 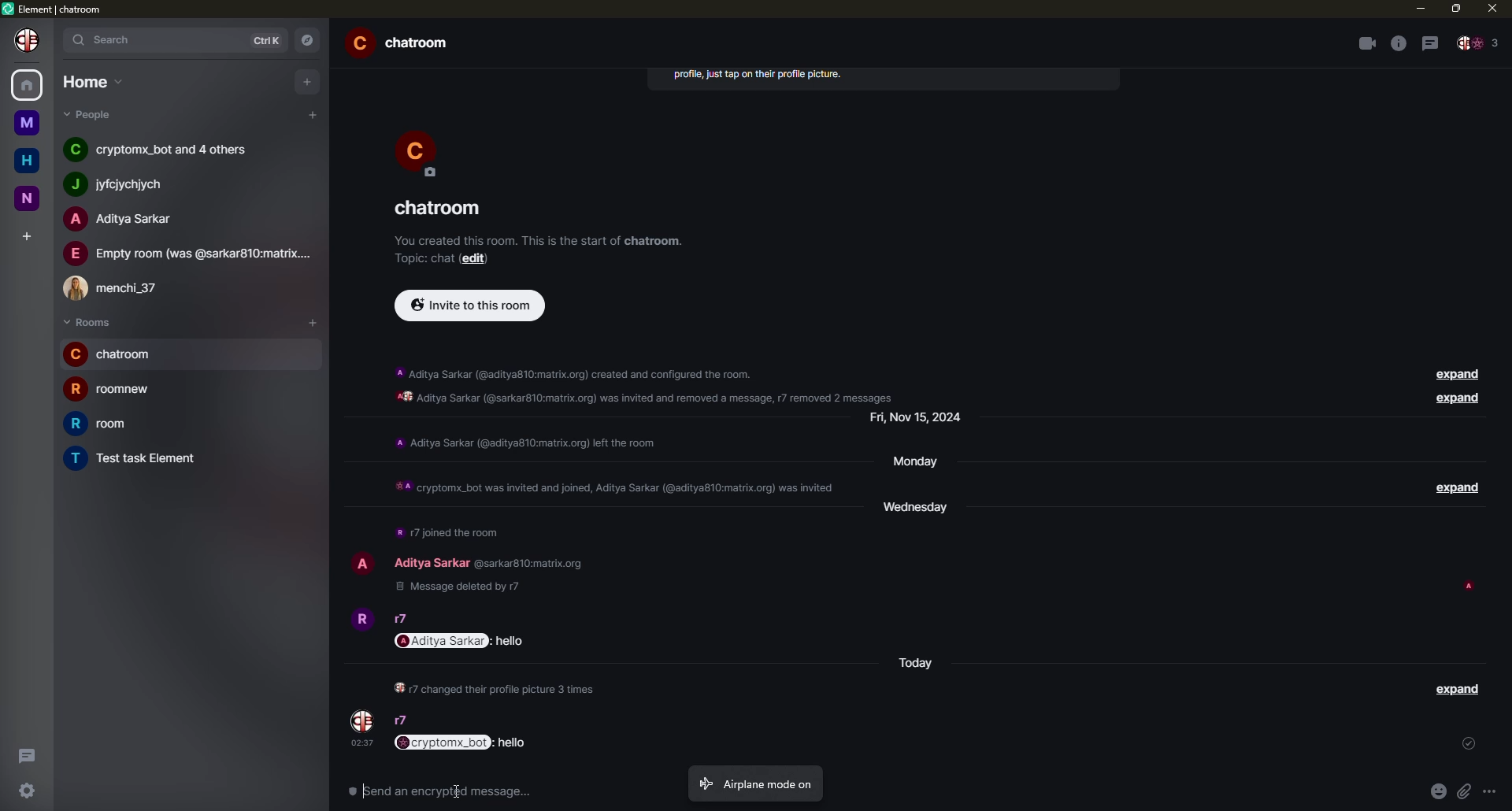 What do you see at coordinates (112, 354) in the screenshot?
I see `room` at bounding box center [112, 354].